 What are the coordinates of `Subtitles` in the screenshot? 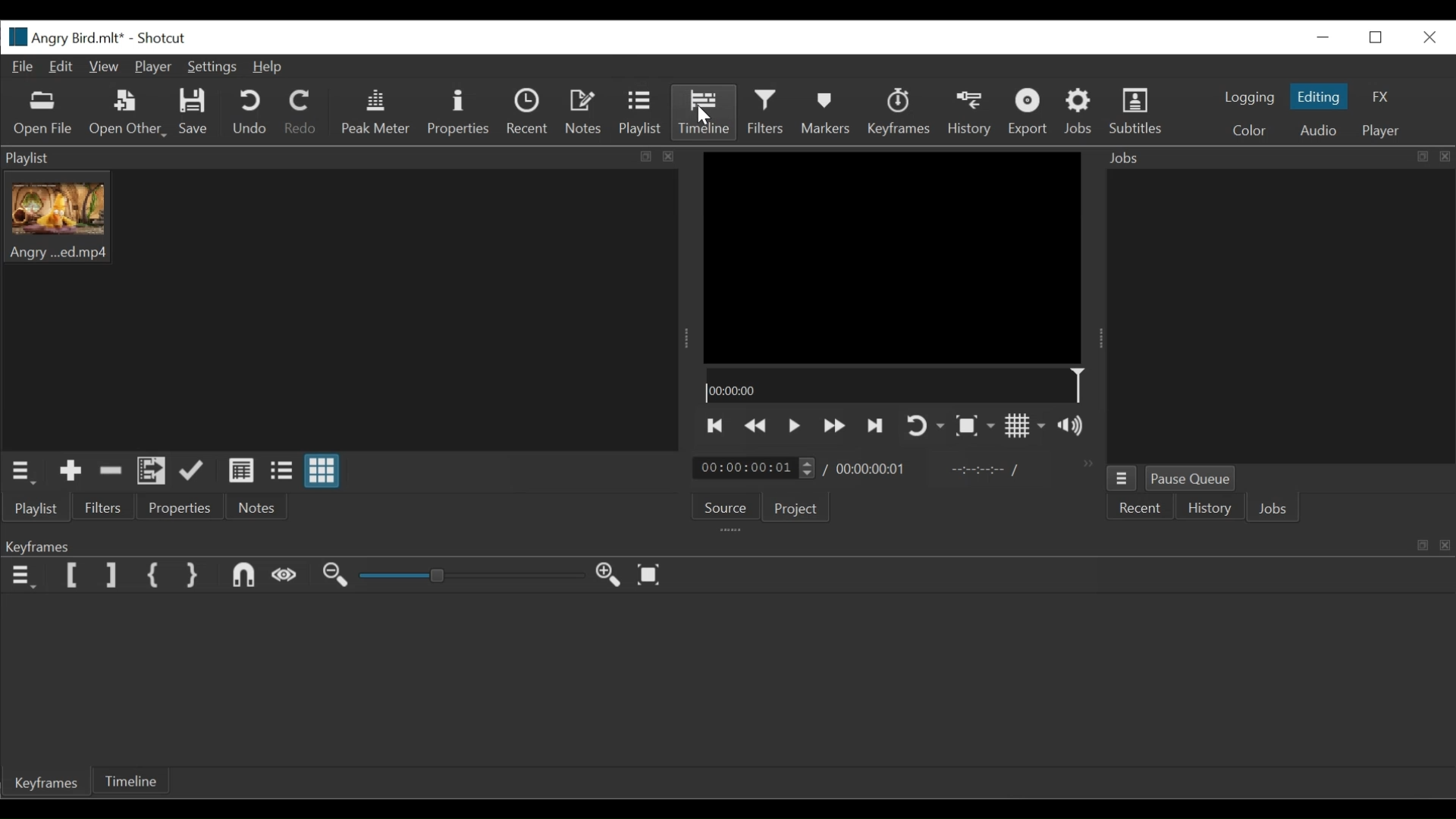 It's located at (1137, 111).